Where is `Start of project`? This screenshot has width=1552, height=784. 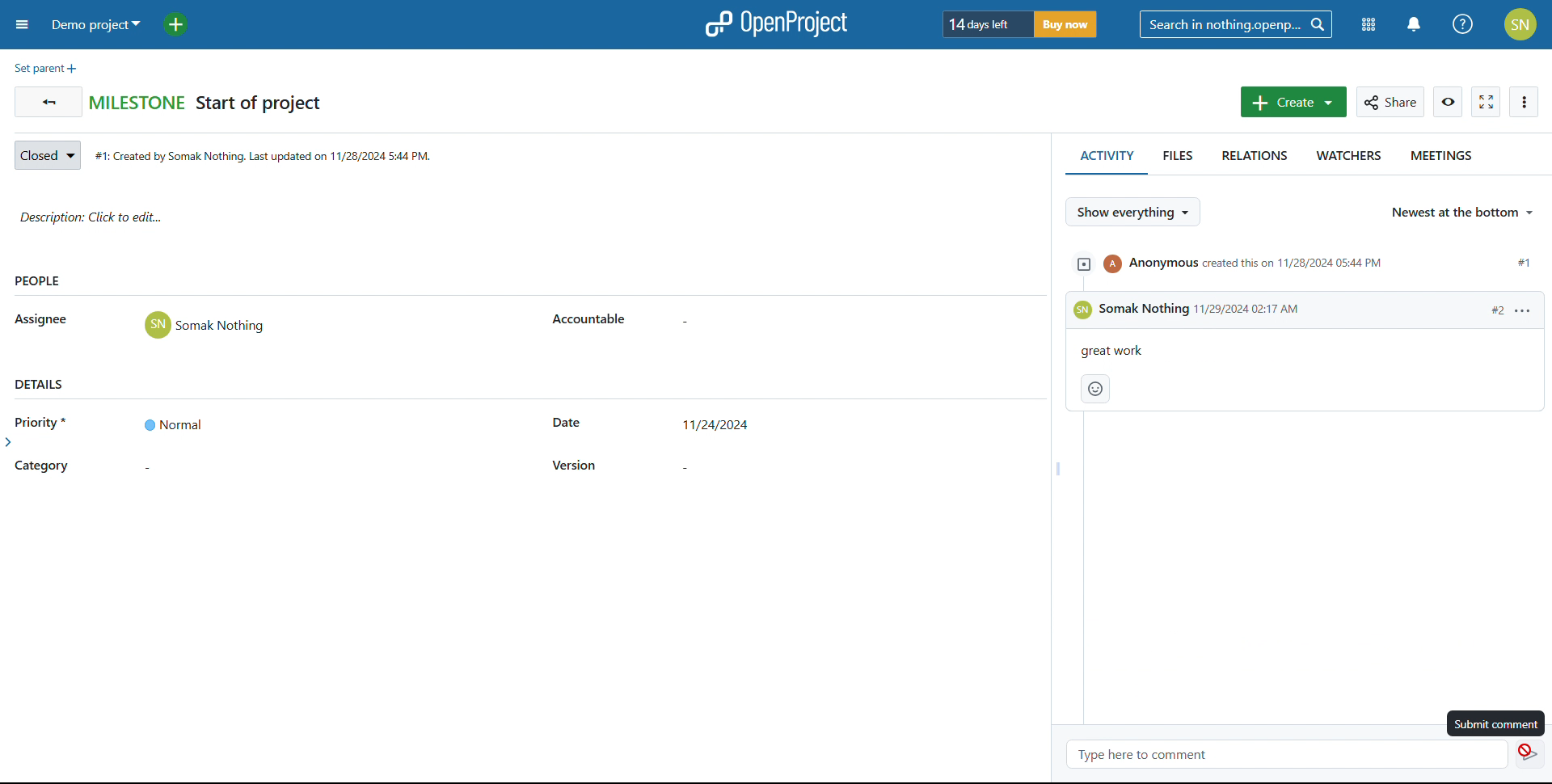
Start of project is located at coordinates (259, 105).